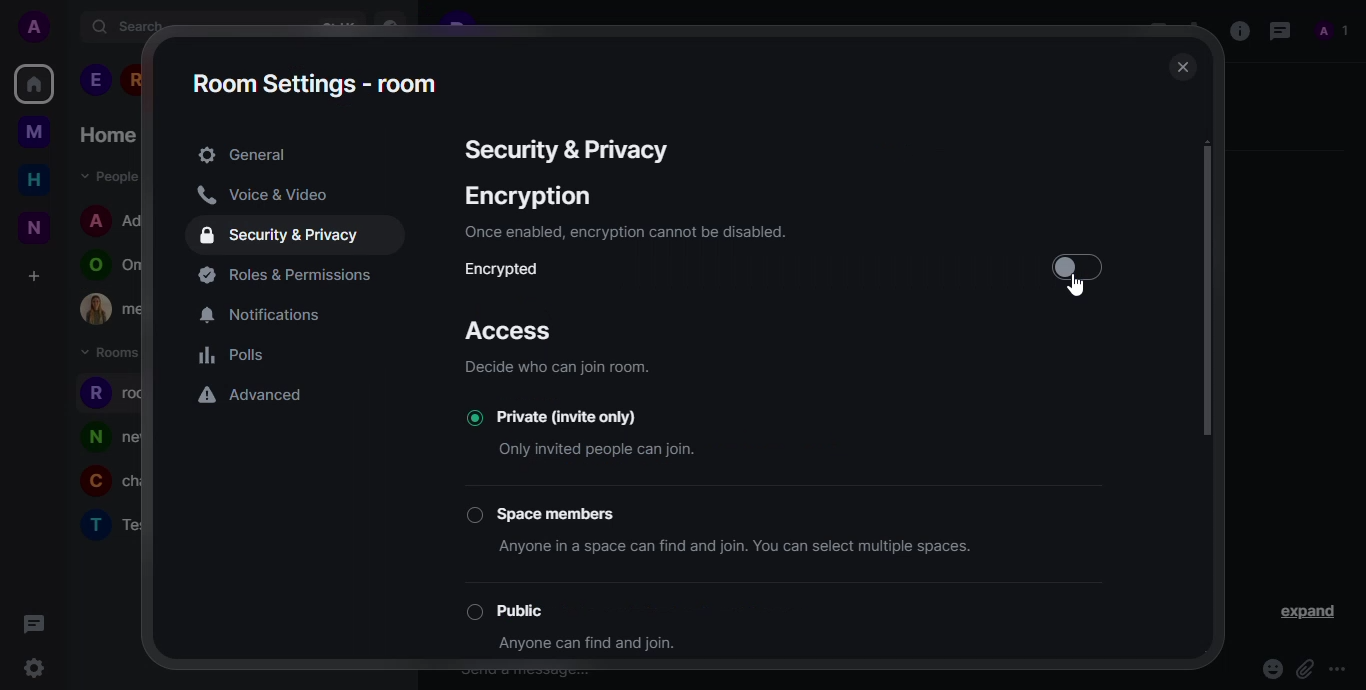 Image resolution: width=1366 pixels, height=690 pixels. Describe the element at coordinates (34, 179) in the screenshot. I see `home` at that location.